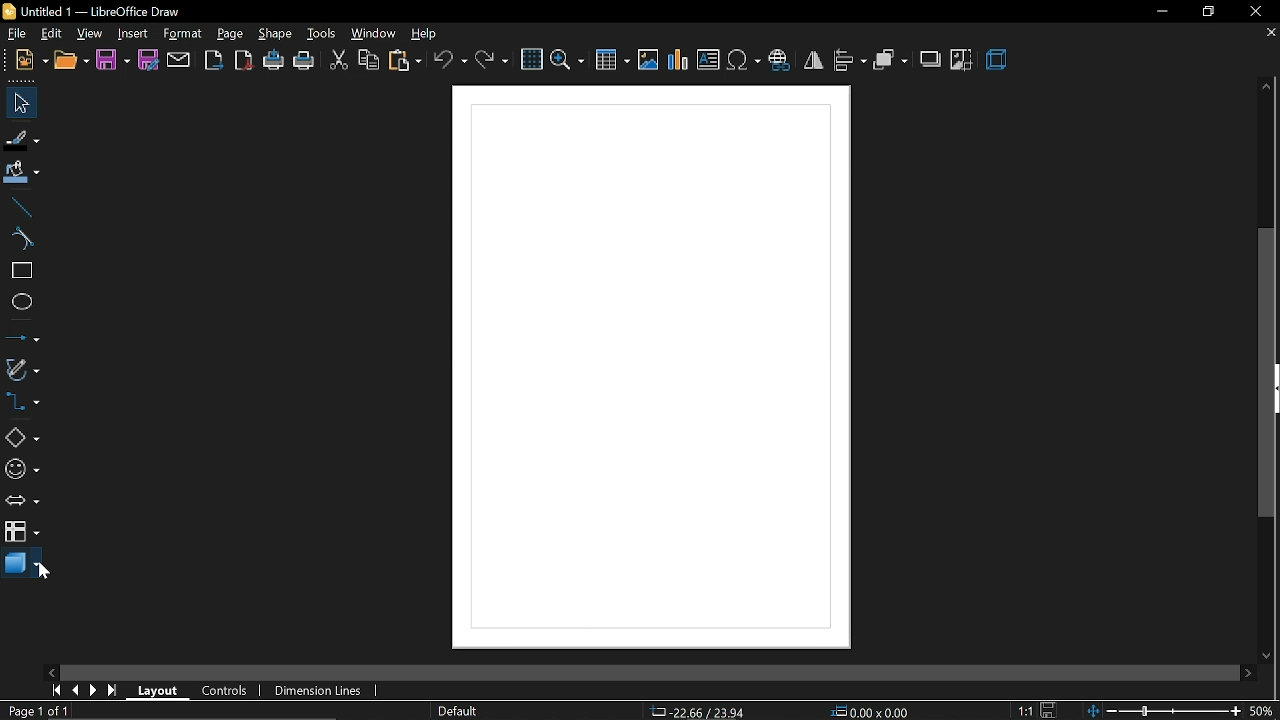  I want to click on flip, so click(814, 60).